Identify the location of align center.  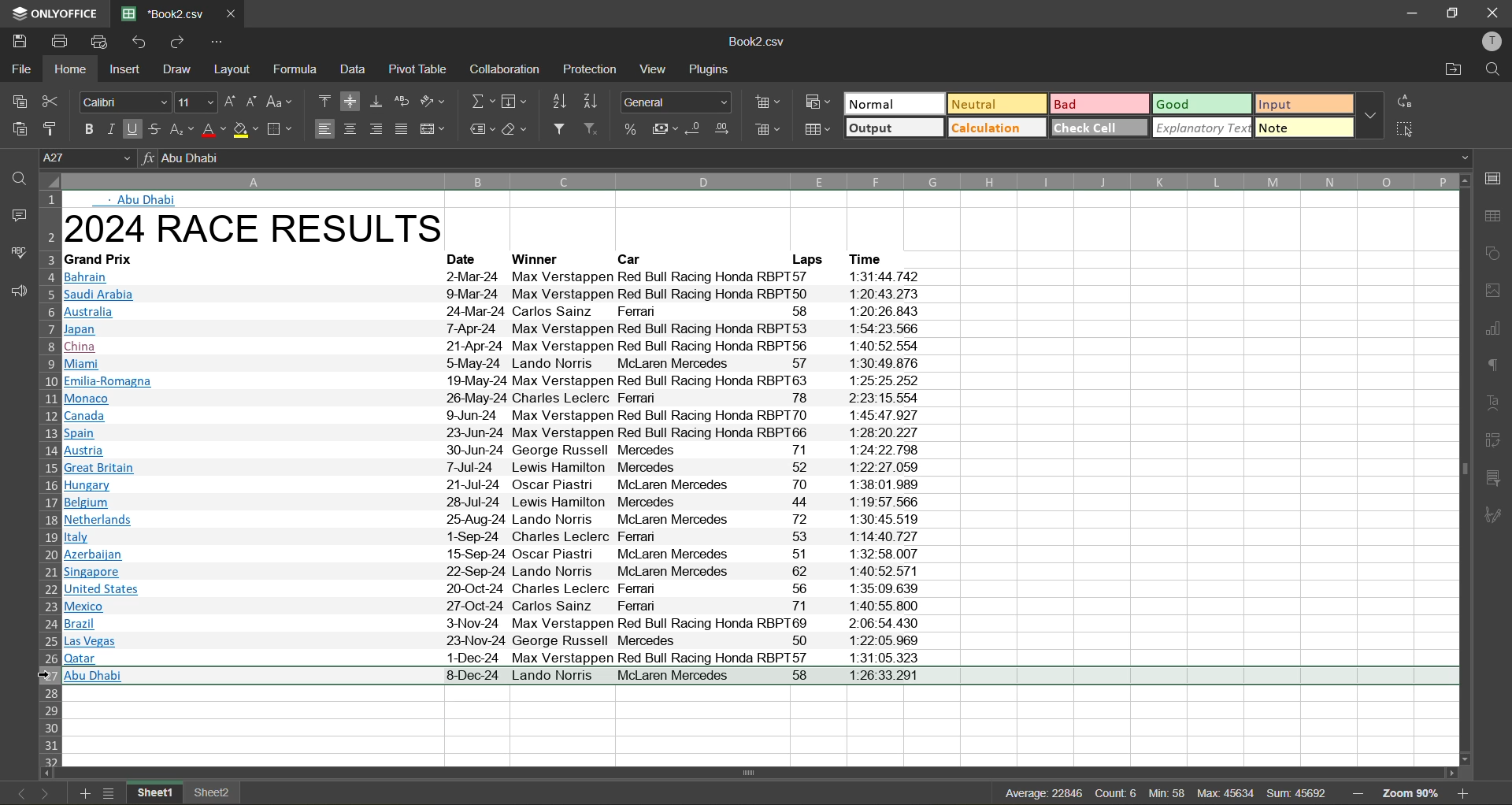
(351, 128).